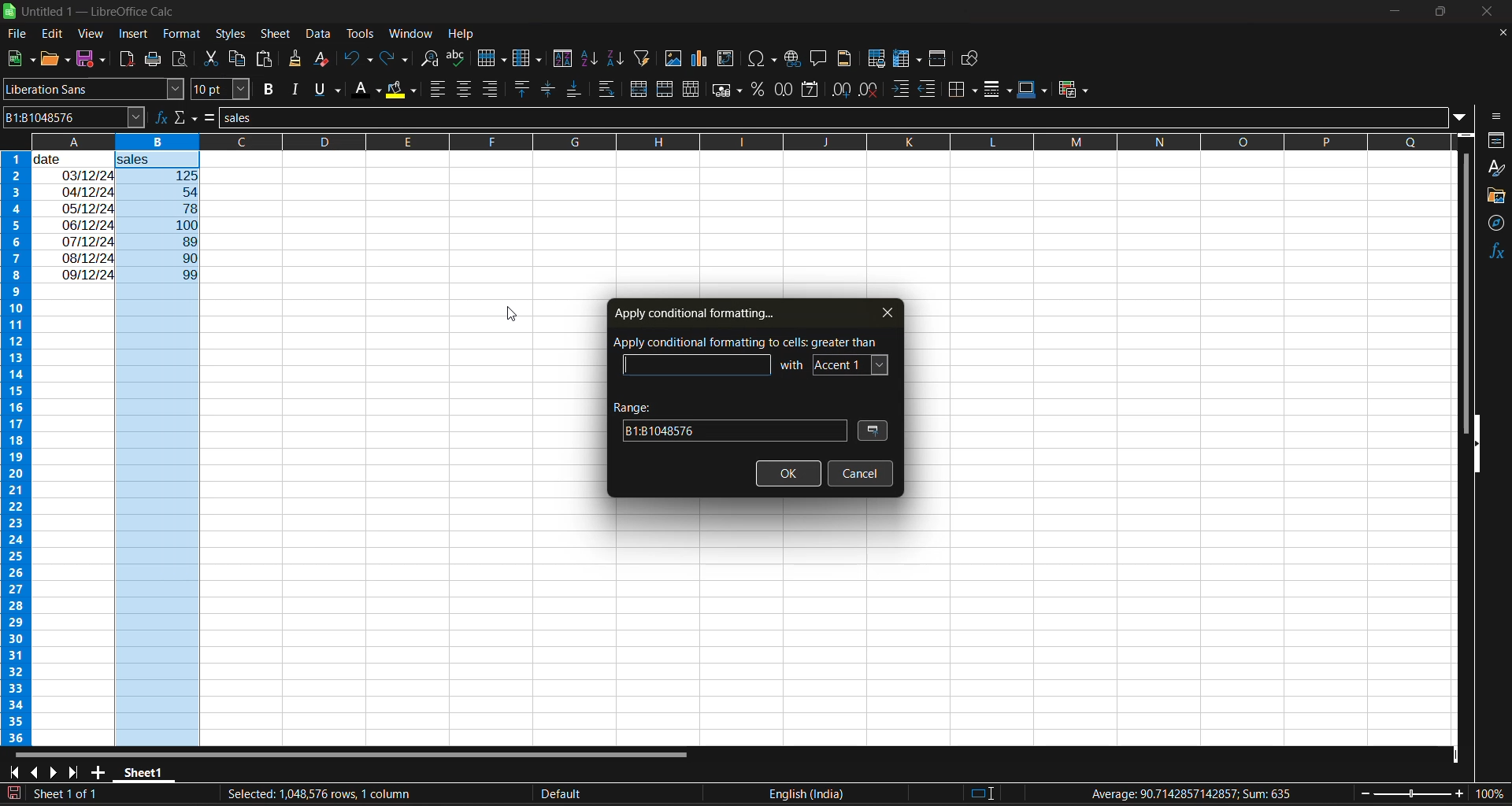  I want to click on wrap text, so click(609, 89).